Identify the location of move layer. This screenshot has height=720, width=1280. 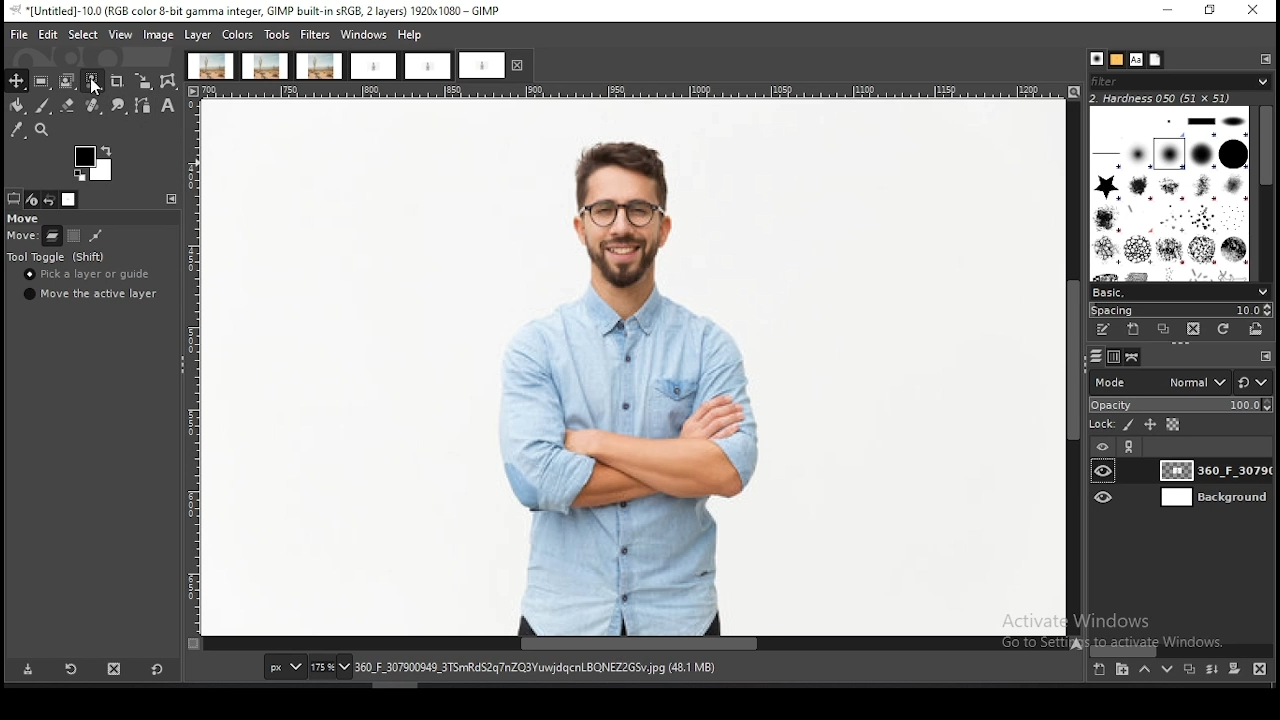
(52, 237).